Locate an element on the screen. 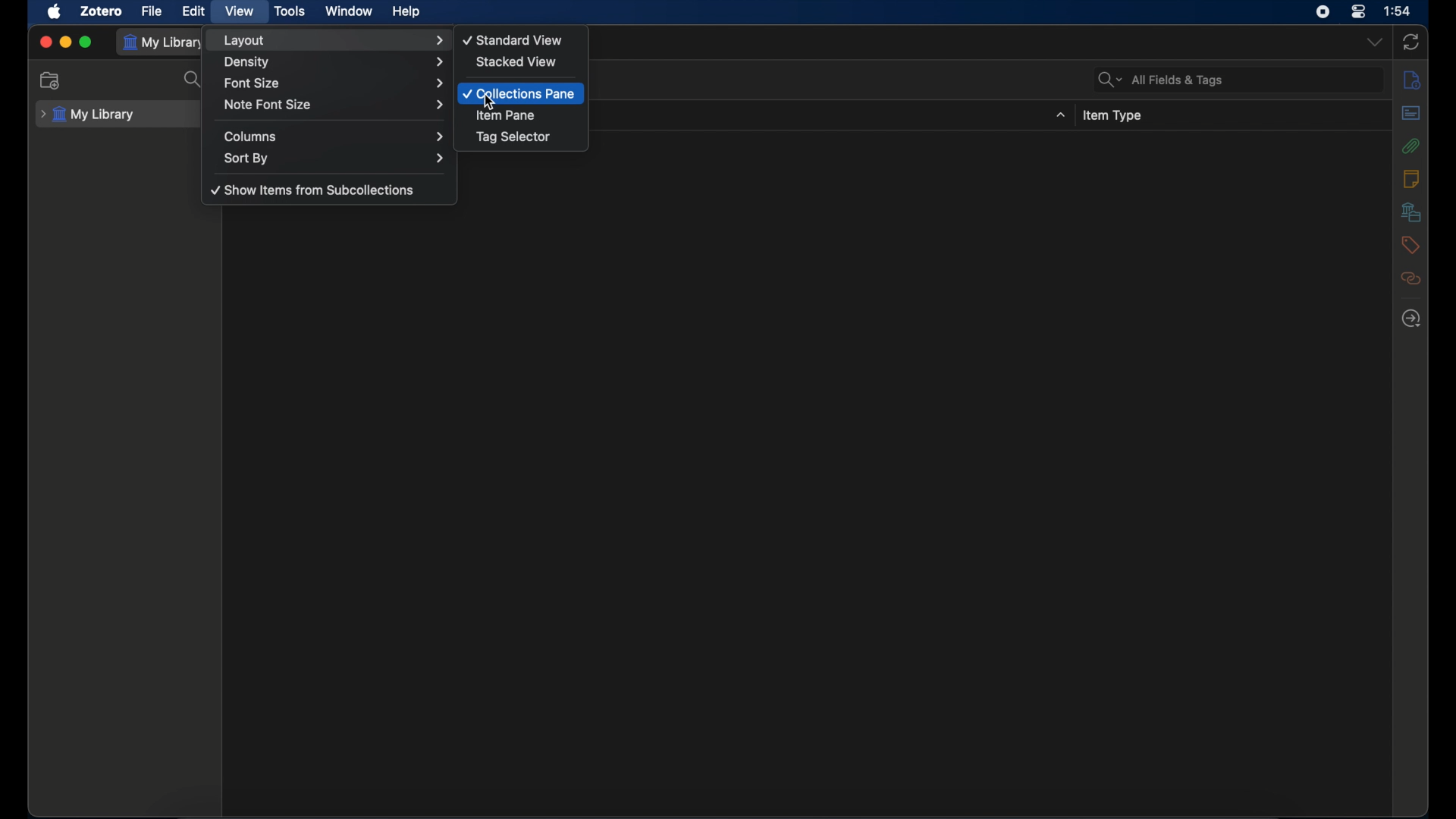 This screenshot has height=819, width=1456. my library is located at coordinates (90, 115).